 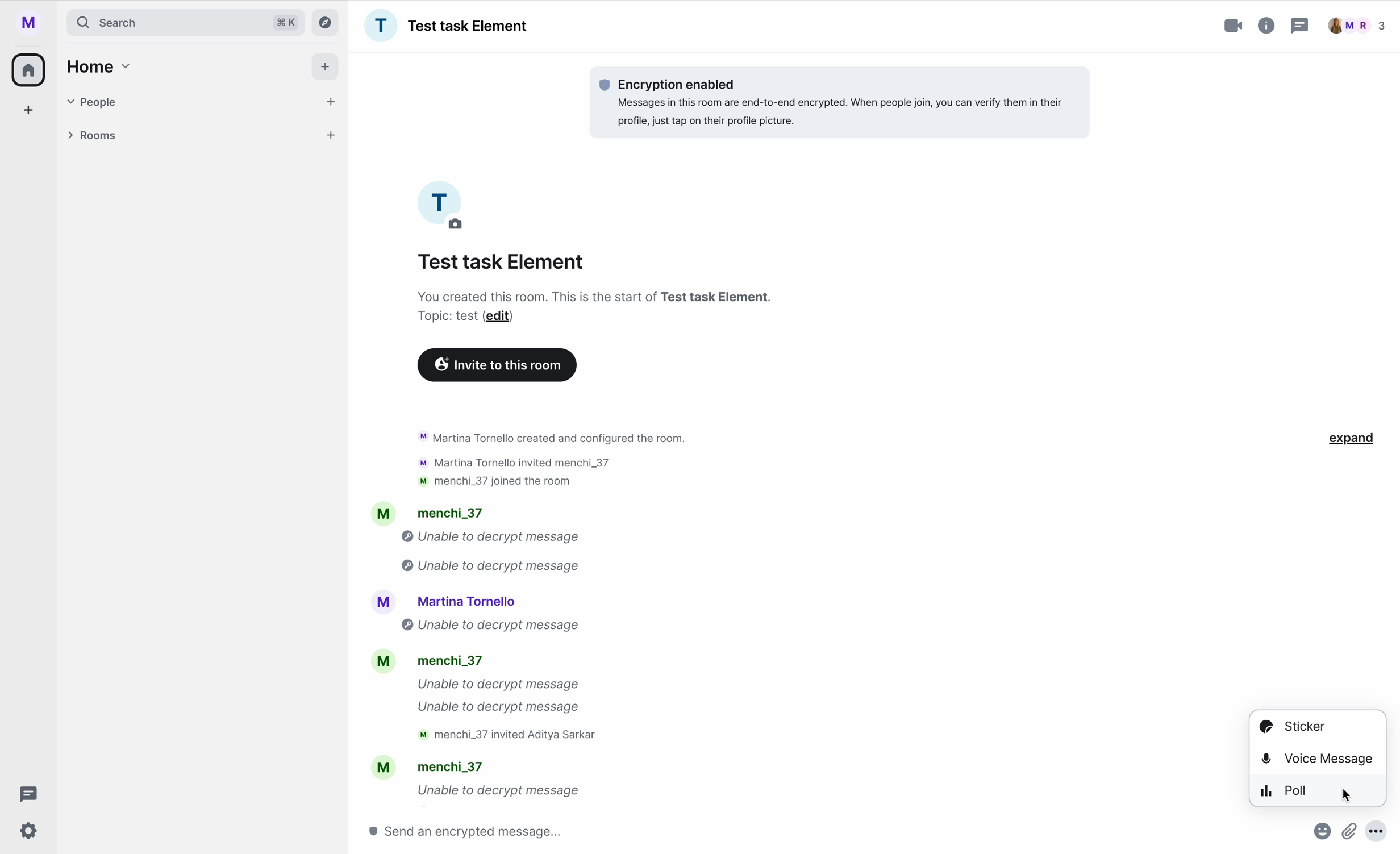 I want to click on video call, so click(x=1235, y=26).